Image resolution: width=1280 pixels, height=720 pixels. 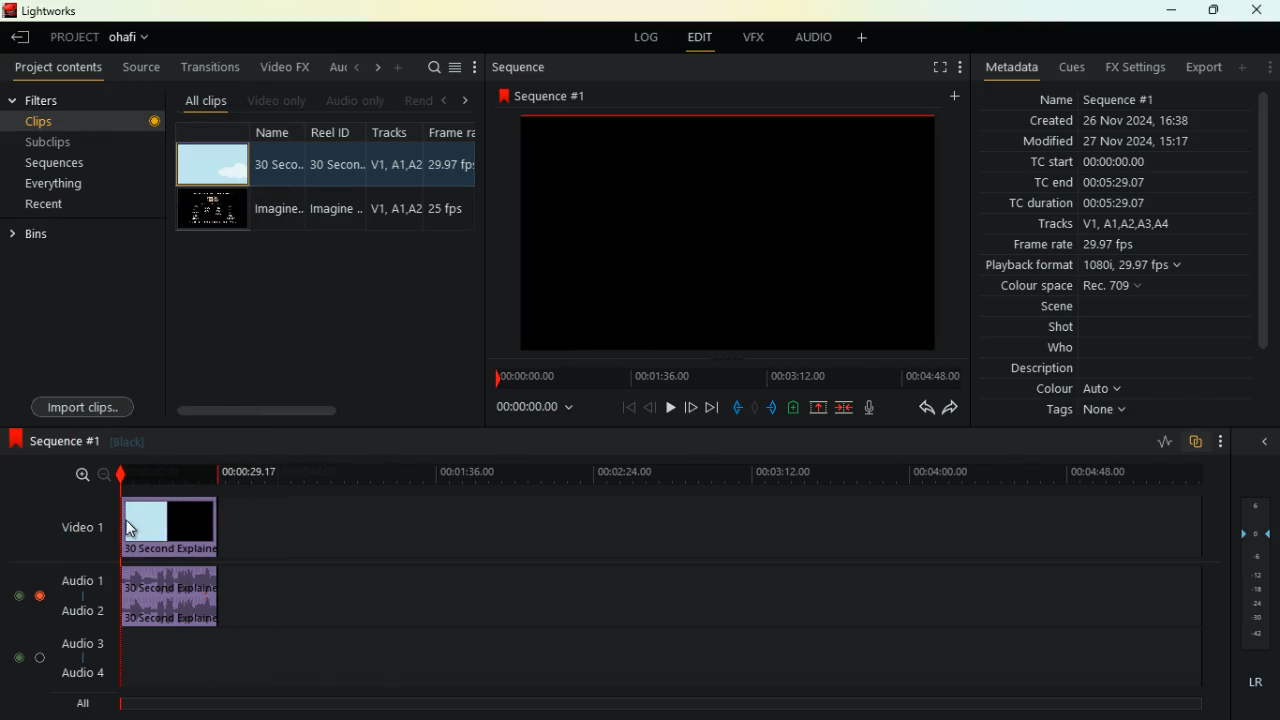 What do you see at coordinates (57, 99) in the screenshot?
I see `filters` at bounding box center [57, 99].